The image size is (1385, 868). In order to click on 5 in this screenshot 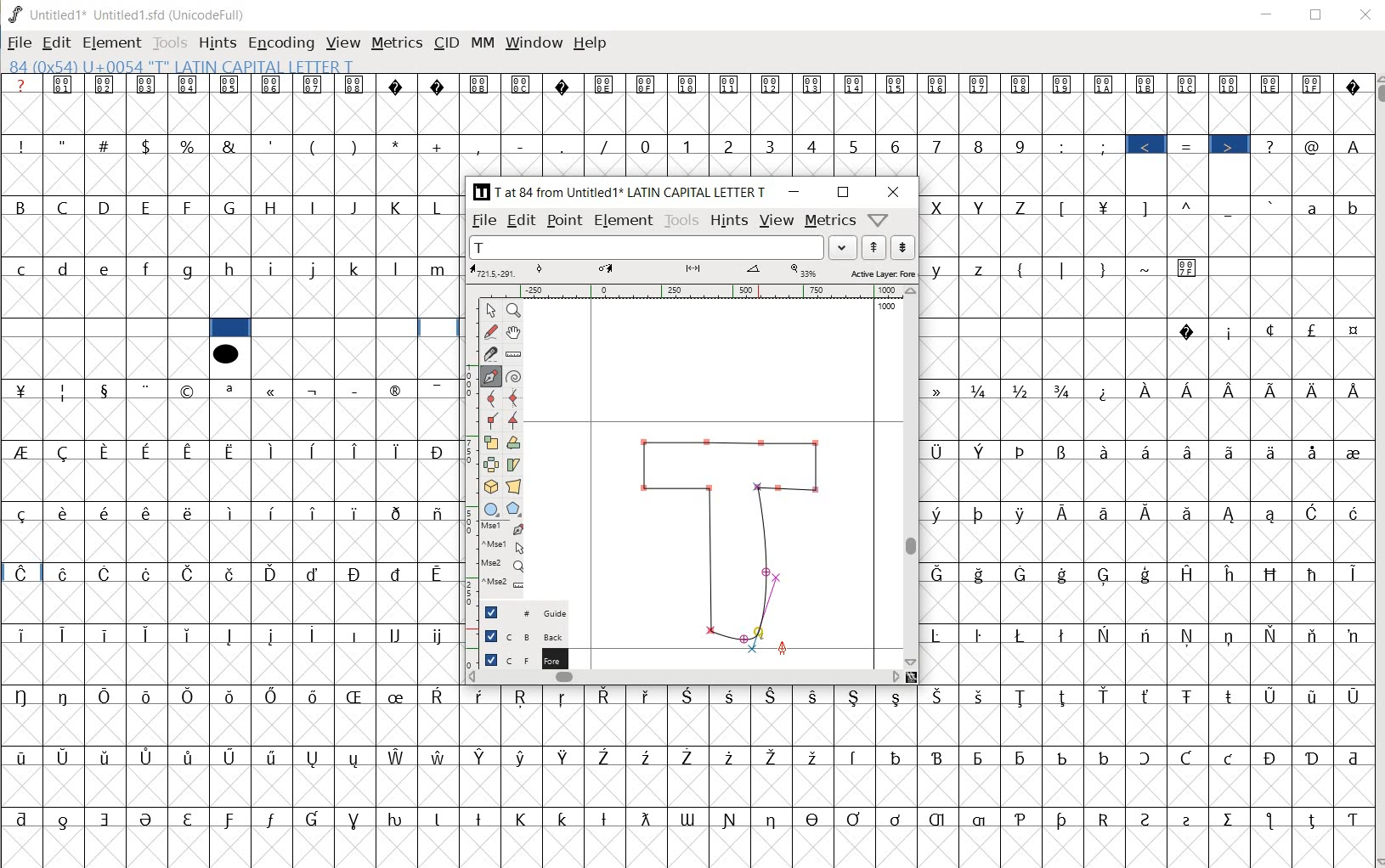, I will do `click(854, 144)`.